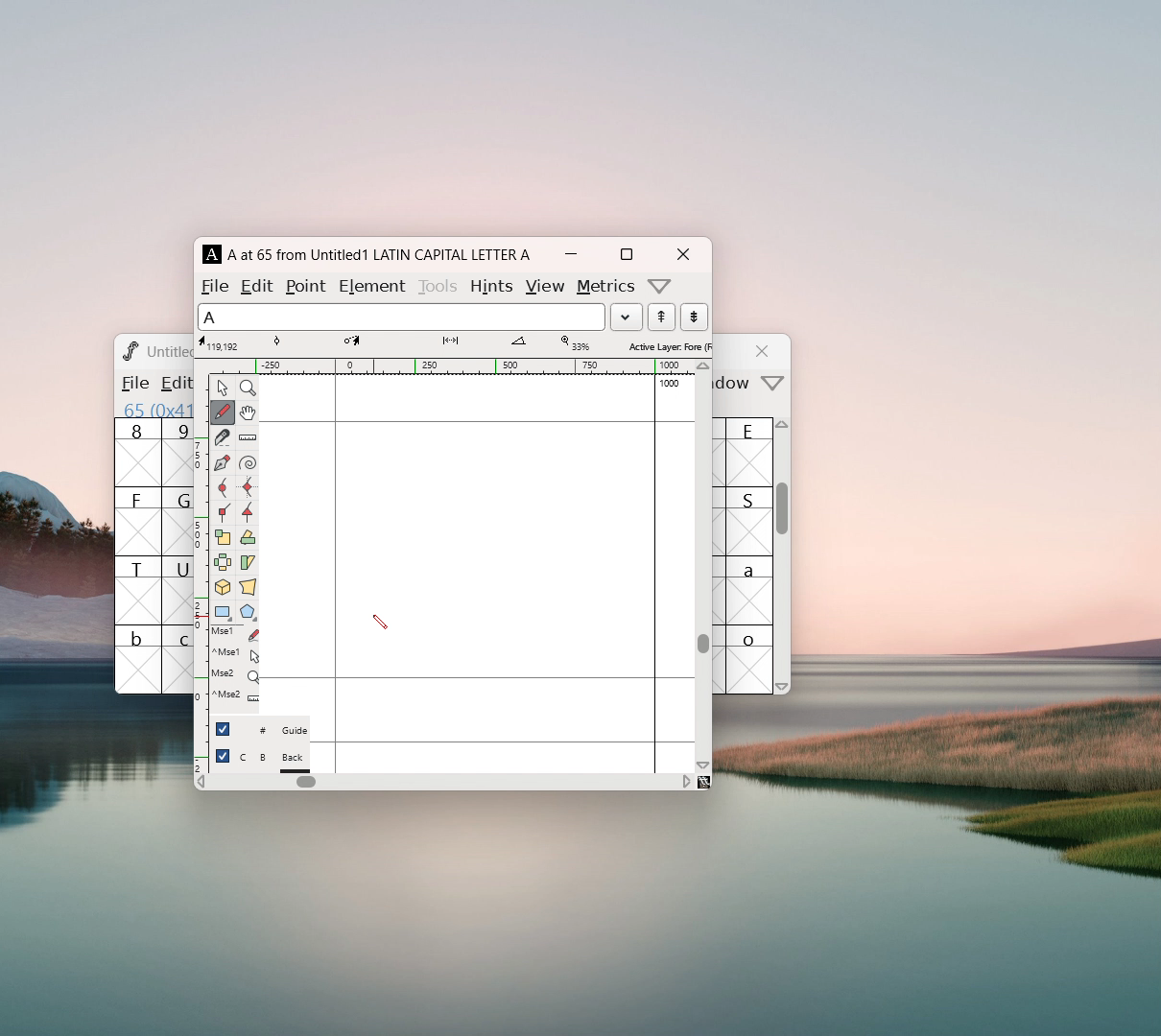 The width and height of the screenshot is (1161, 1036). I want to click on pointer, so click(223, 388).